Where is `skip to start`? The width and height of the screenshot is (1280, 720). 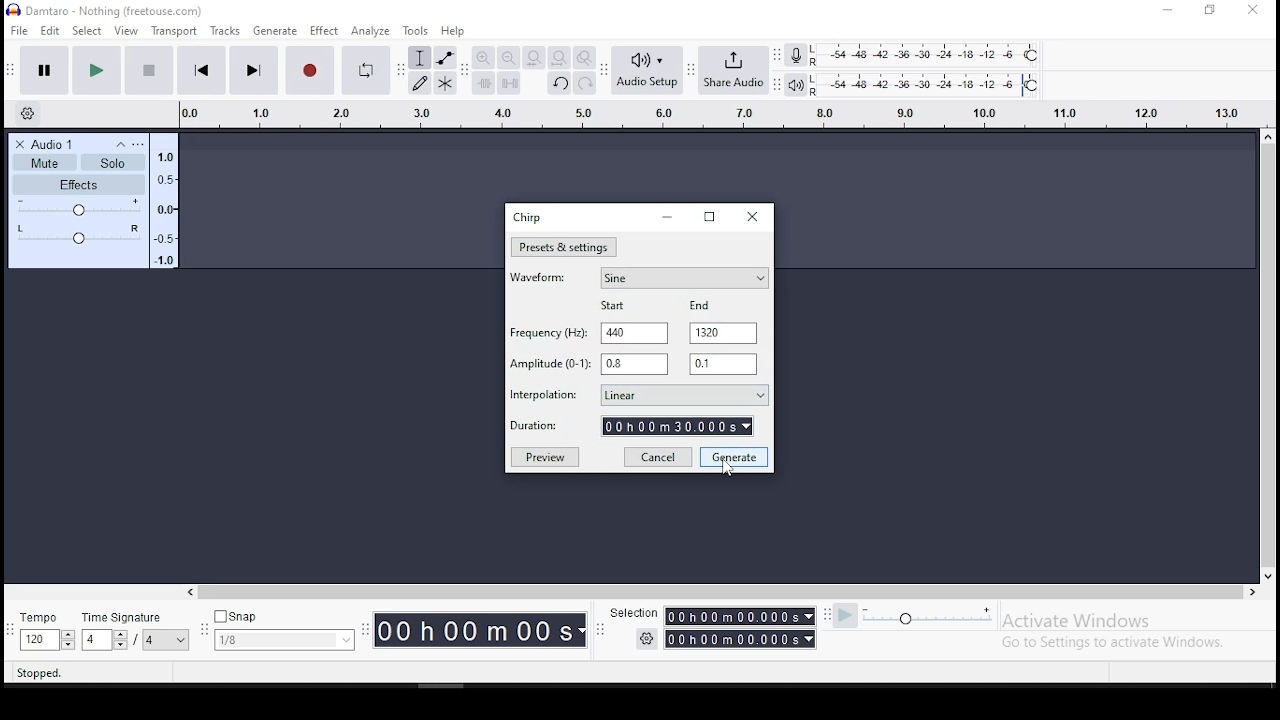 skip to start is located at coordinates (201, 69).